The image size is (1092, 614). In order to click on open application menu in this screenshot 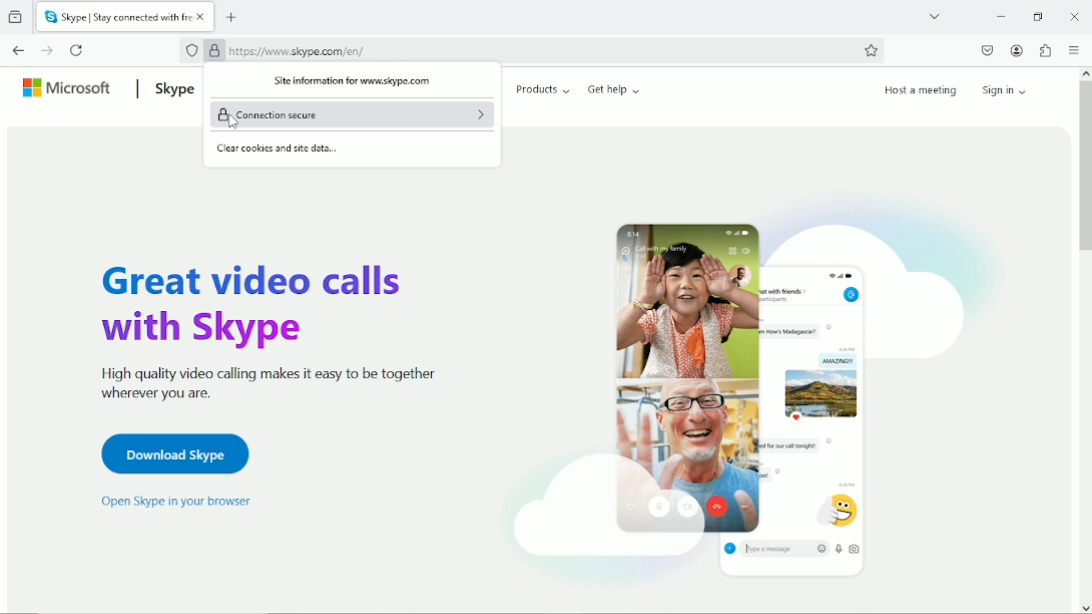, I will do `click(1073, 51)`.